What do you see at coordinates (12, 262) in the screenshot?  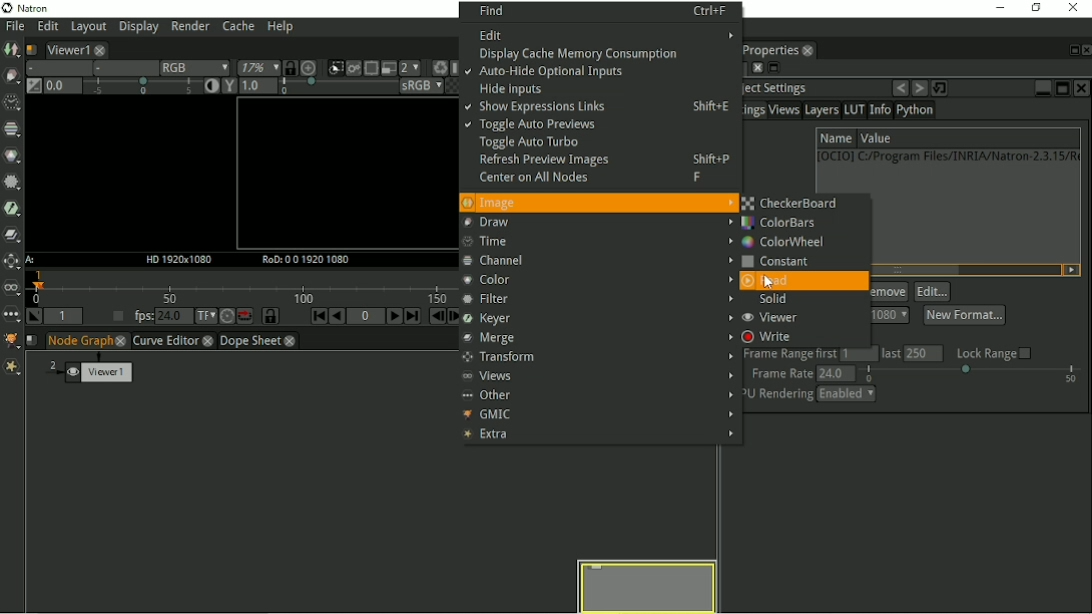 I see `Transform` at bounding box center [12, 262].